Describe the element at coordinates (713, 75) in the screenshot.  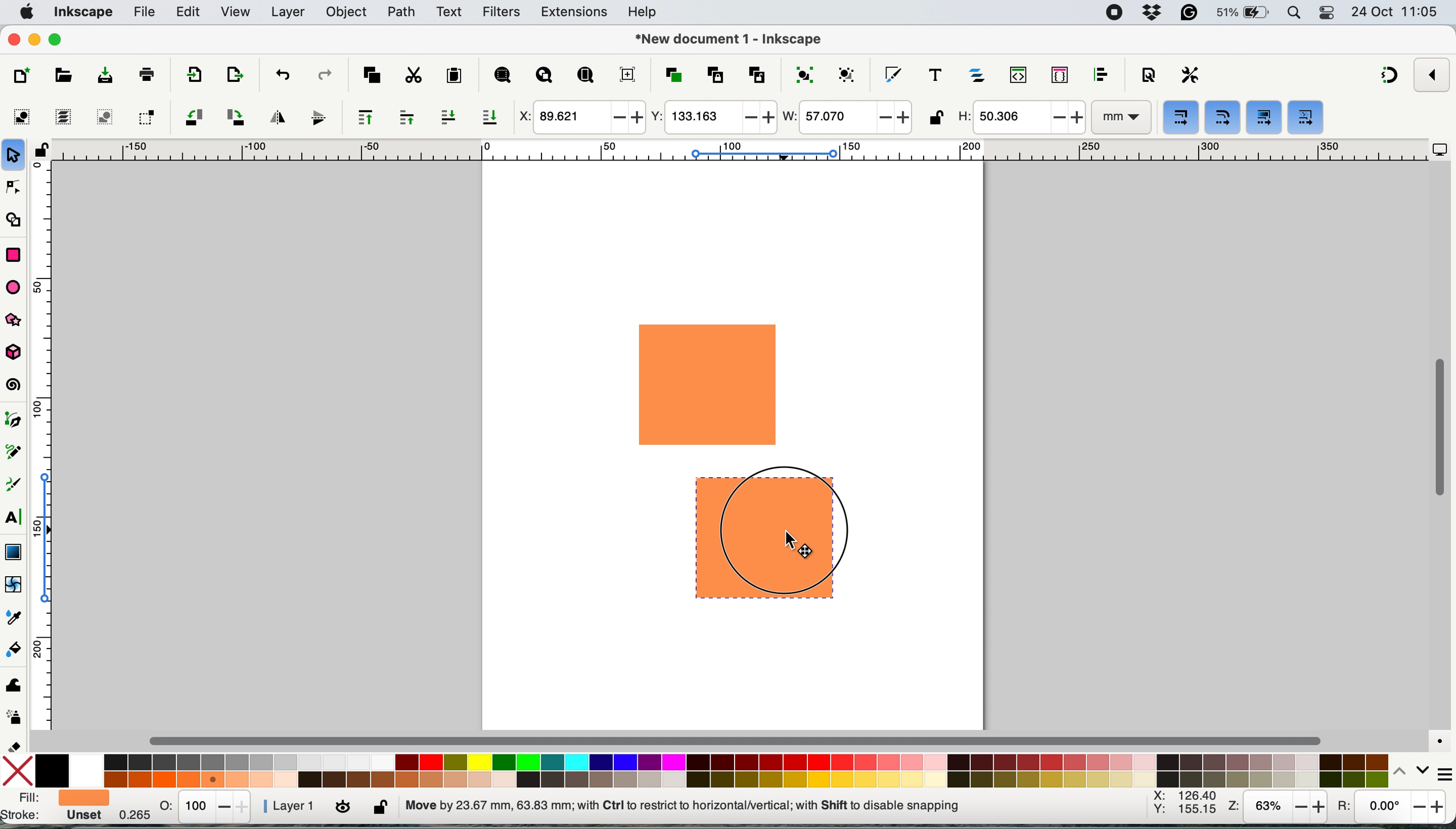
I see `create clone` at that location.